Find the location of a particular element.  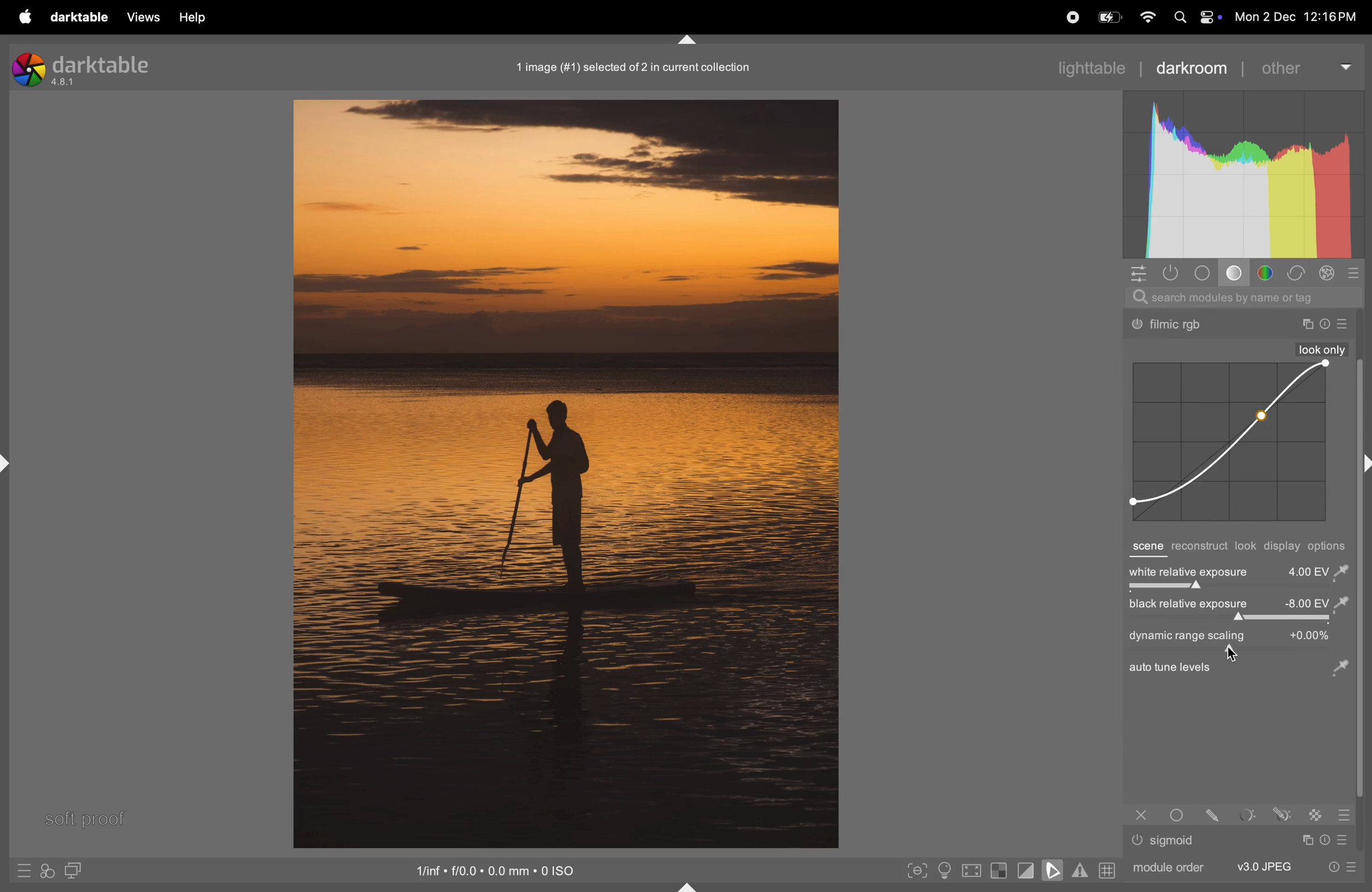

 is located at coordinates (1227, 655).